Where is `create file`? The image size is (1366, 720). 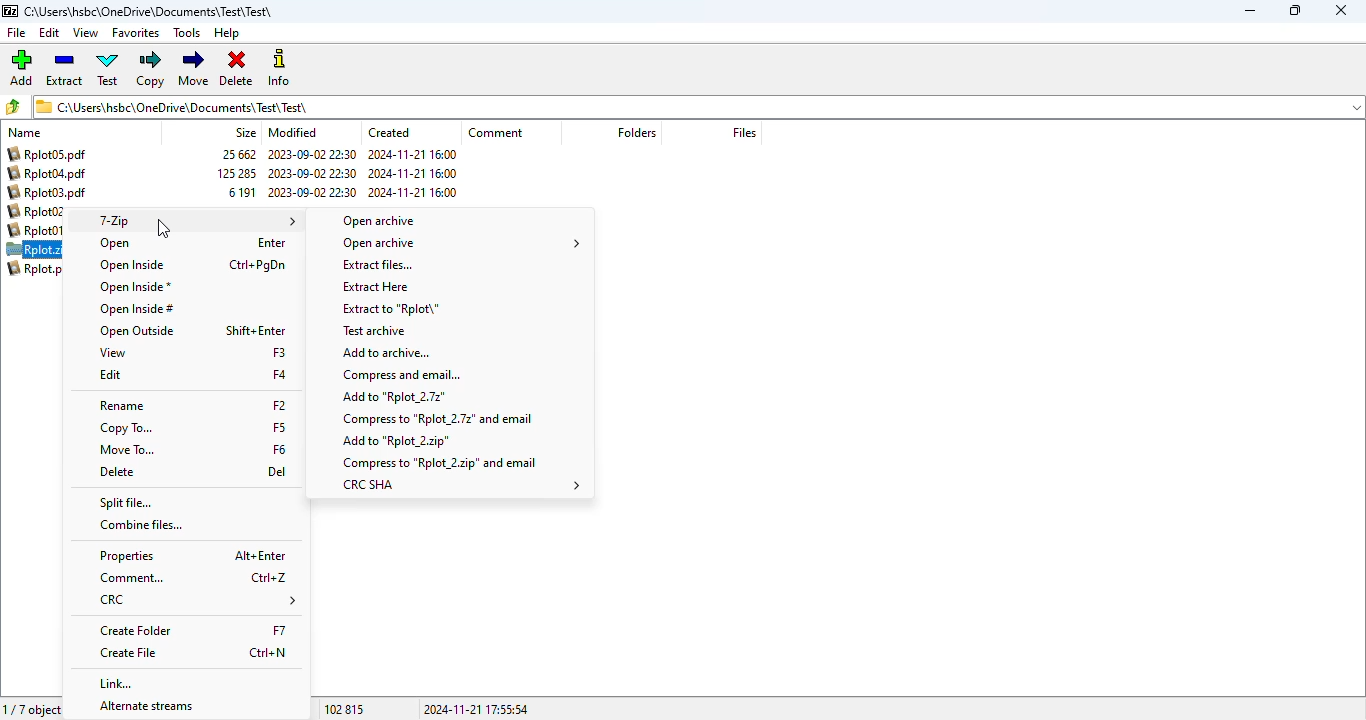 create file is located at coordinates (129, 653).